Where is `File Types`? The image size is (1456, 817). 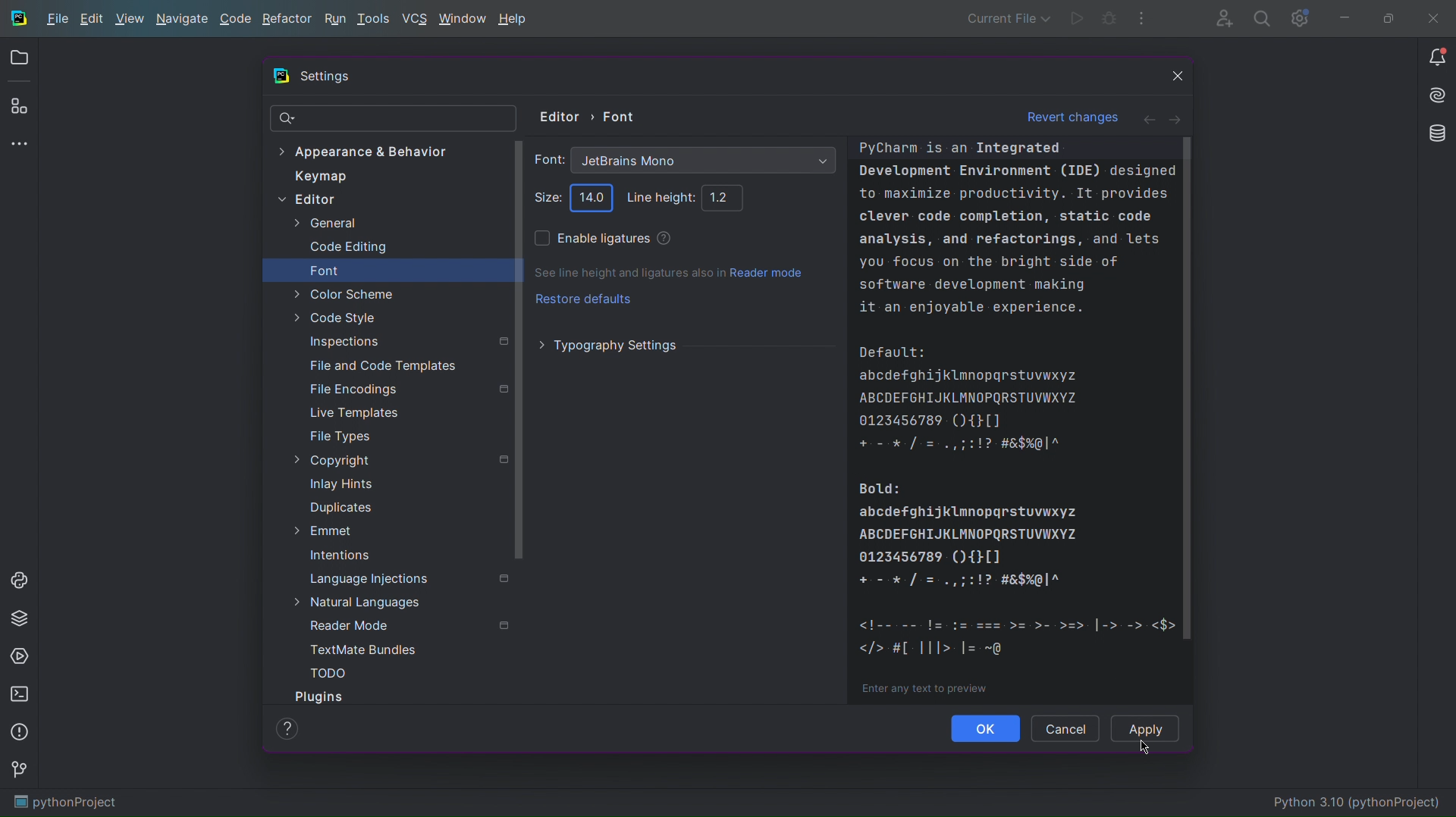
File Types is located at coordinates (340, 437).